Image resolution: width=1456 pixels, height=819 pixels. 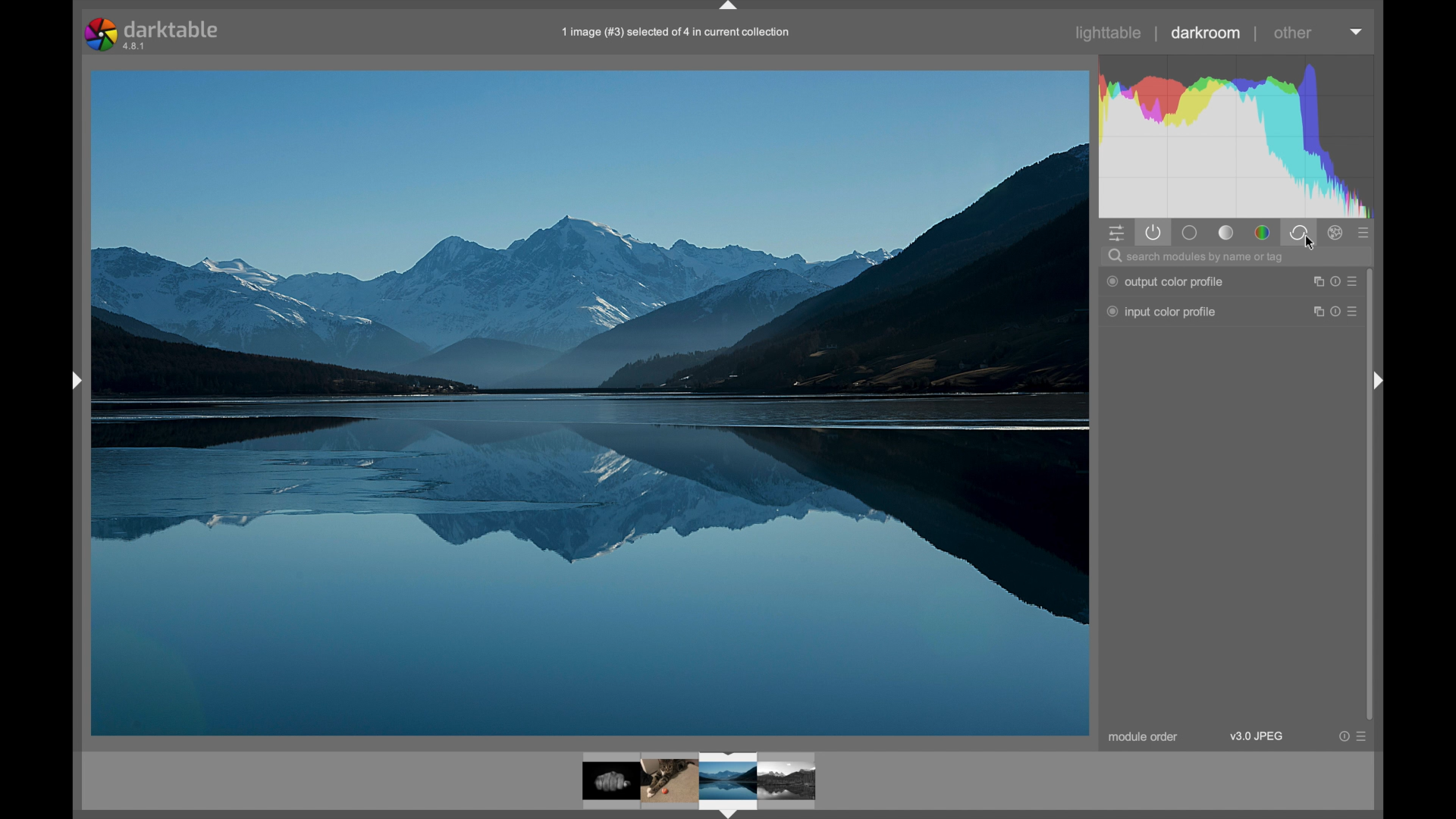 What do you see at coordinates (1145, 738) in the screenshot?
I see `module order` at bounding box center [1145, 738].